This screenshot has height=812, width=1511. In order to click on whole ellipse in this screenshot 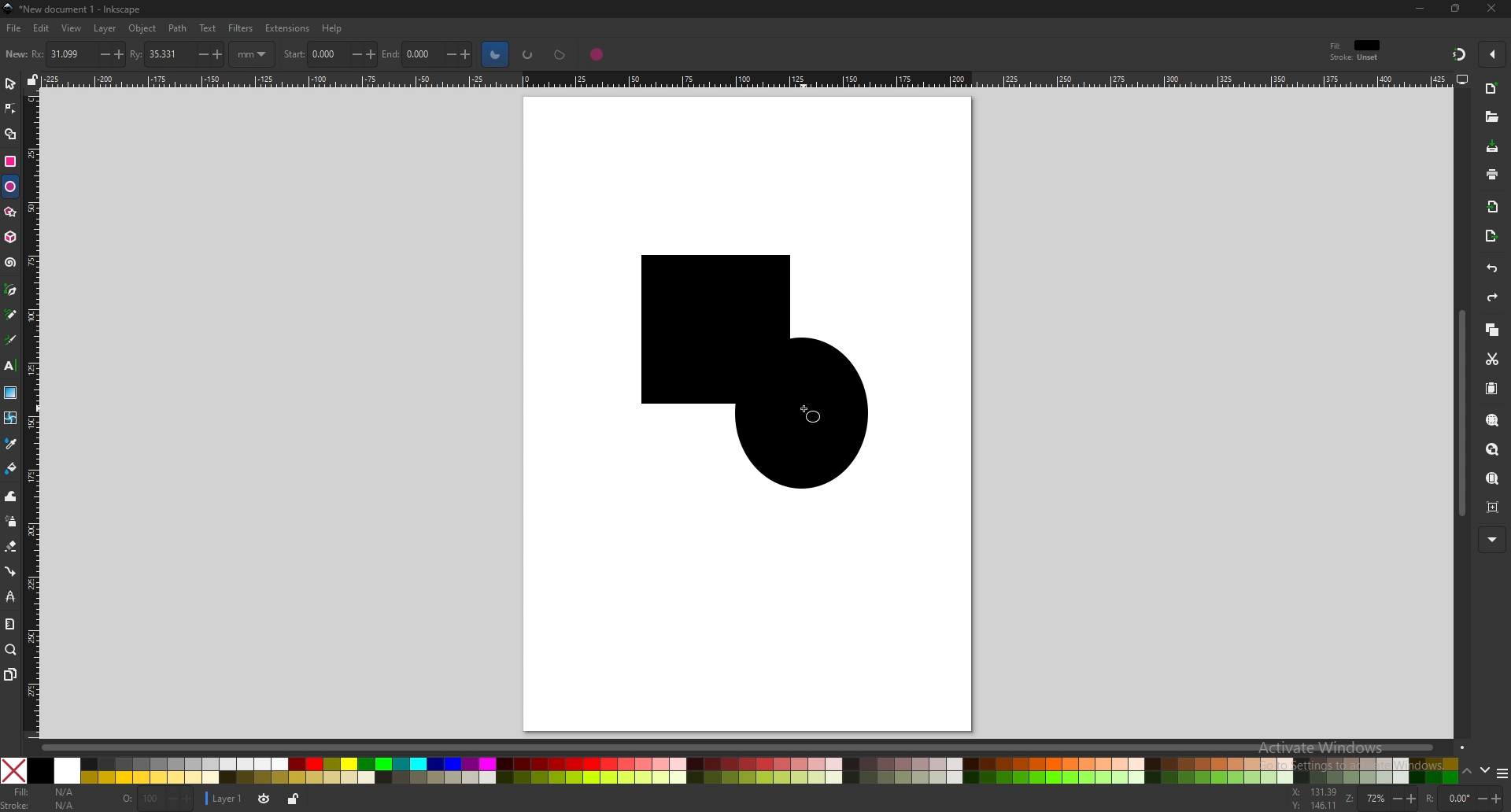, I will do `click(599, 54)`.